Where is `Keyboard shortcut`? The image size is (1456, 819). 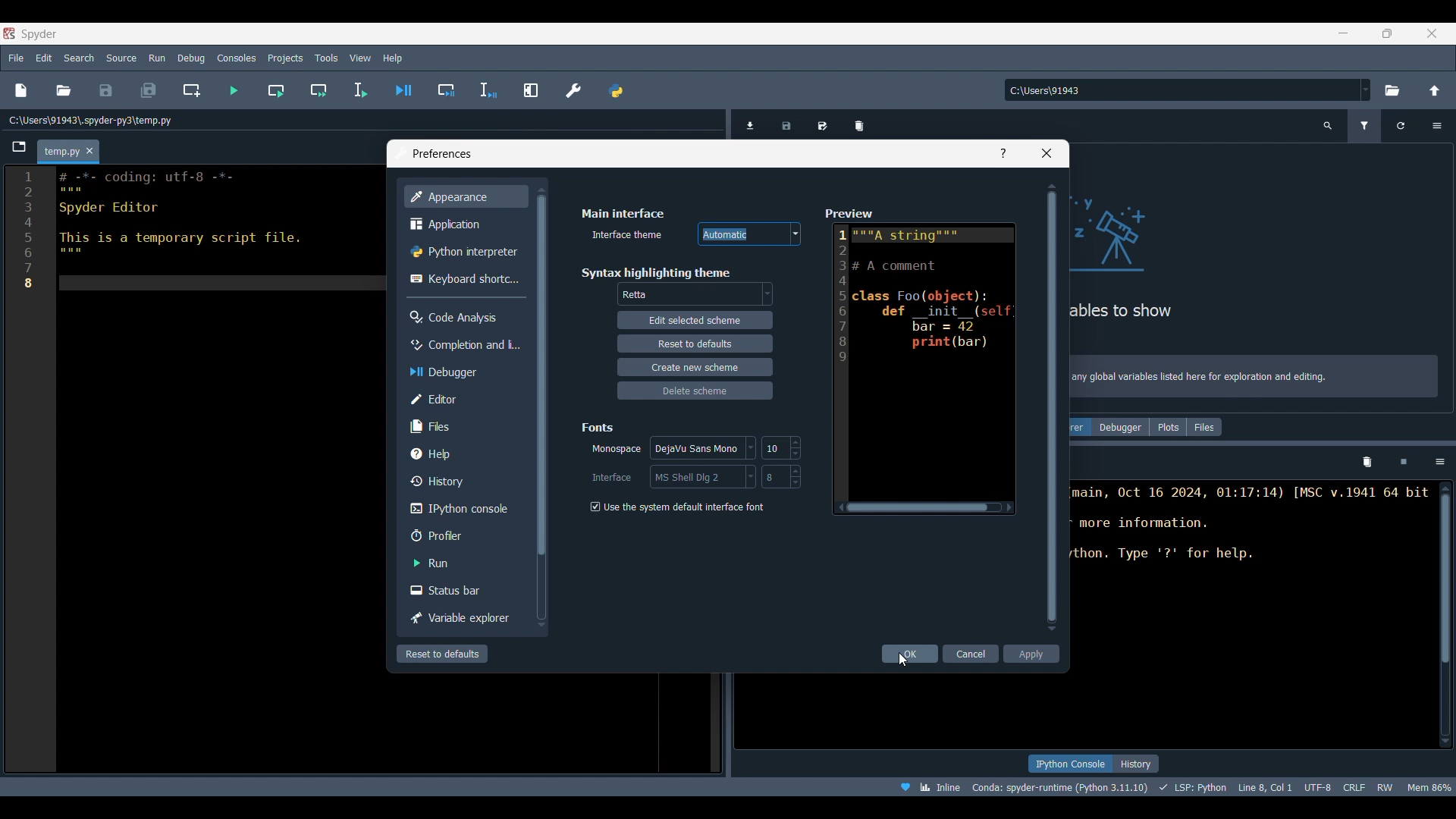 Keyboard shortcut is located at coordinates (464, 278).